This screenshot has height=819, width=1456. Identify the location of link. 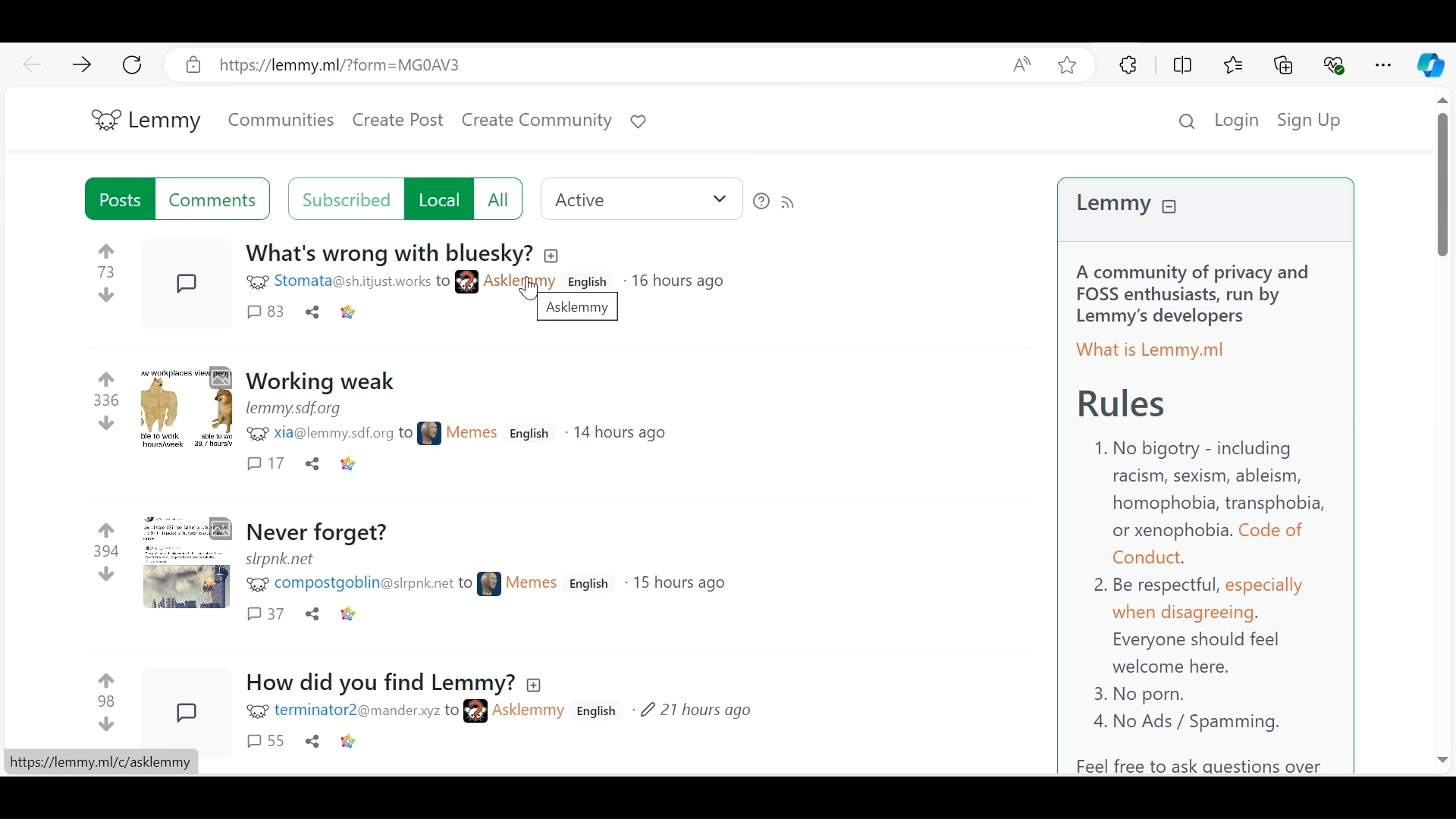
(293, 409).